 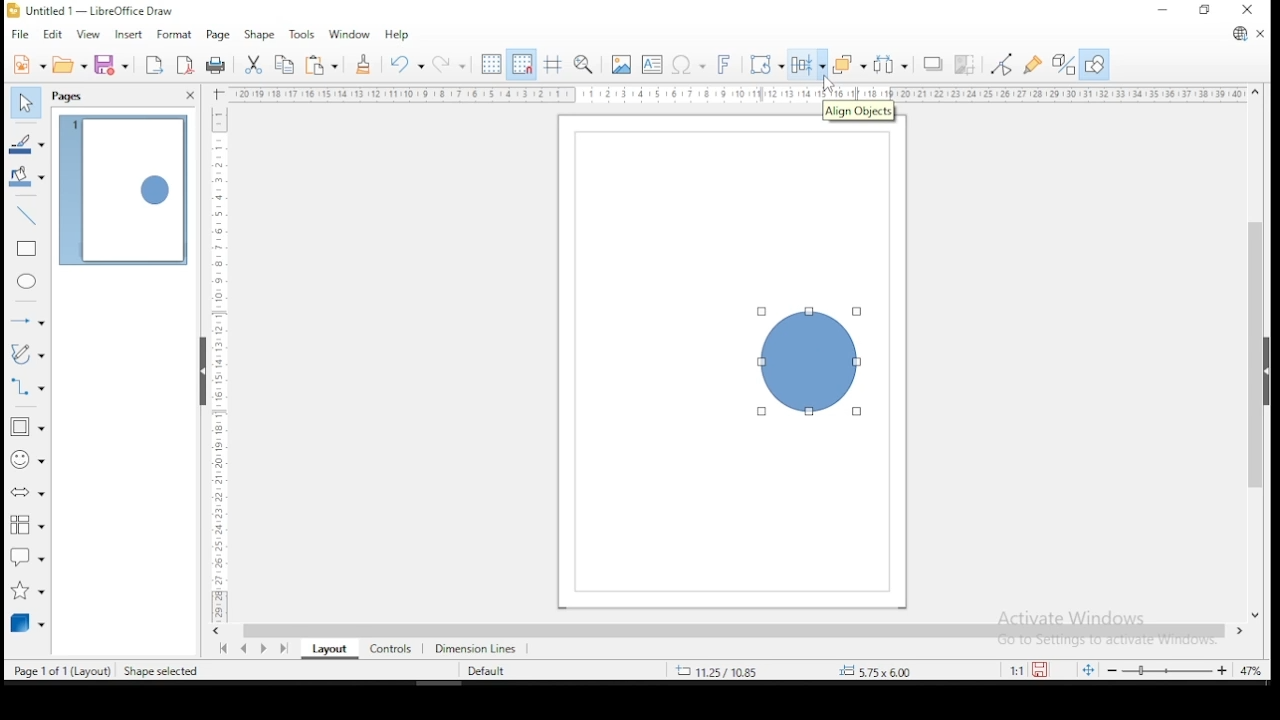 I want to click on window, so click(x=349, y=33).